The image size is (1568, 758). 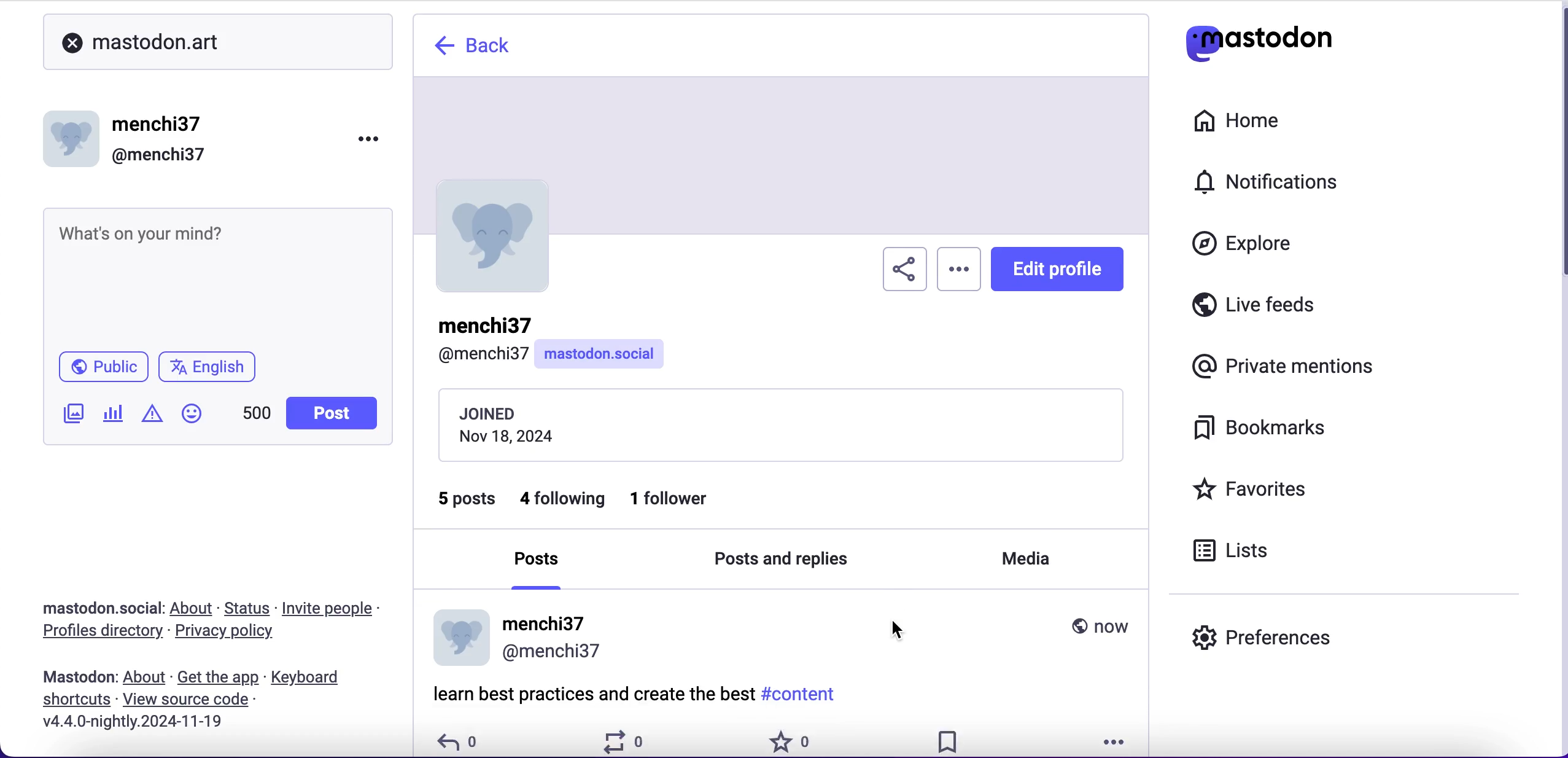 I want to click on  1 followe, so click(x=685, y=503).